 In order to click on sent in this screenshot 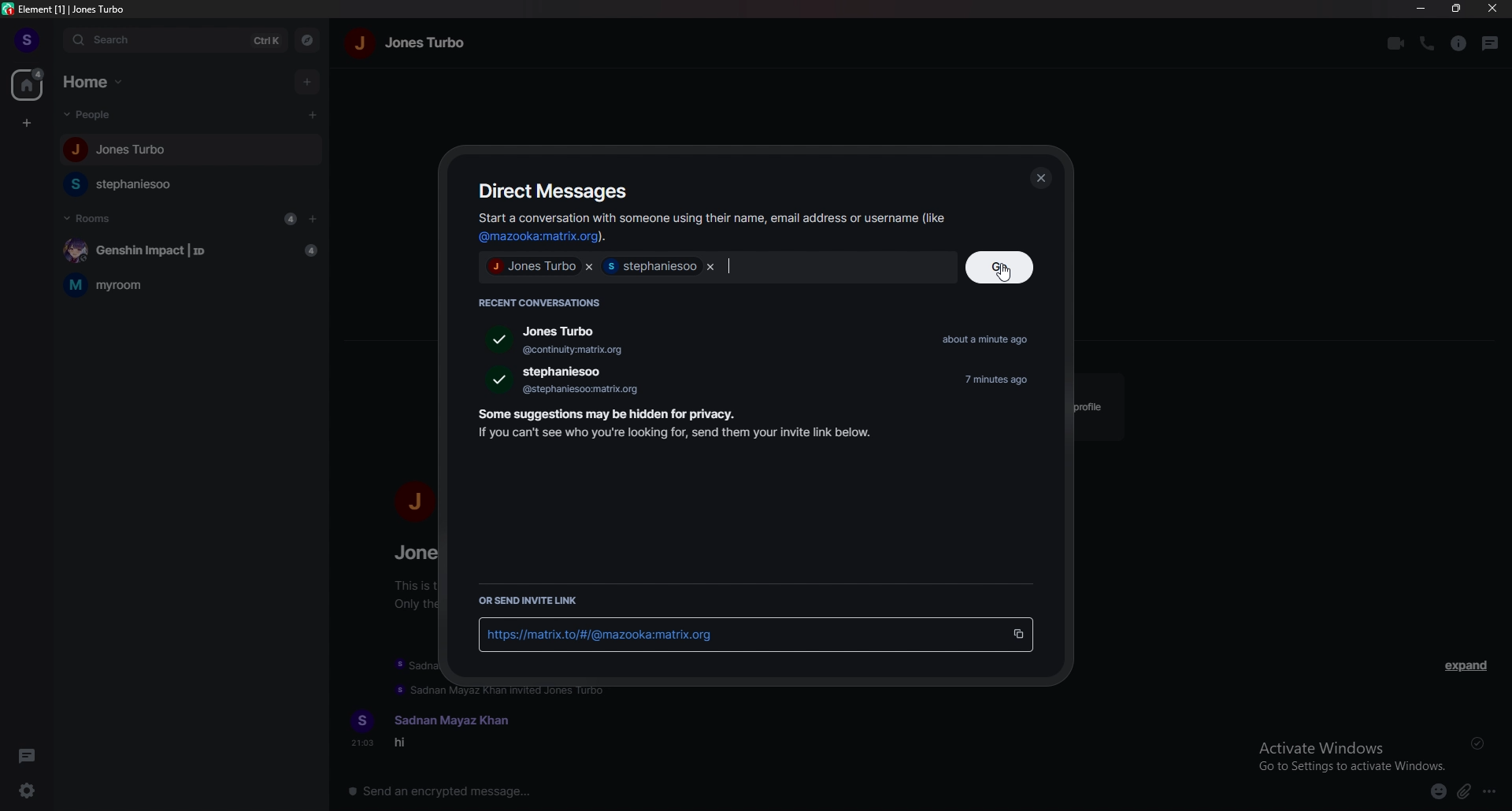, I will do `click(1476, 744)`.